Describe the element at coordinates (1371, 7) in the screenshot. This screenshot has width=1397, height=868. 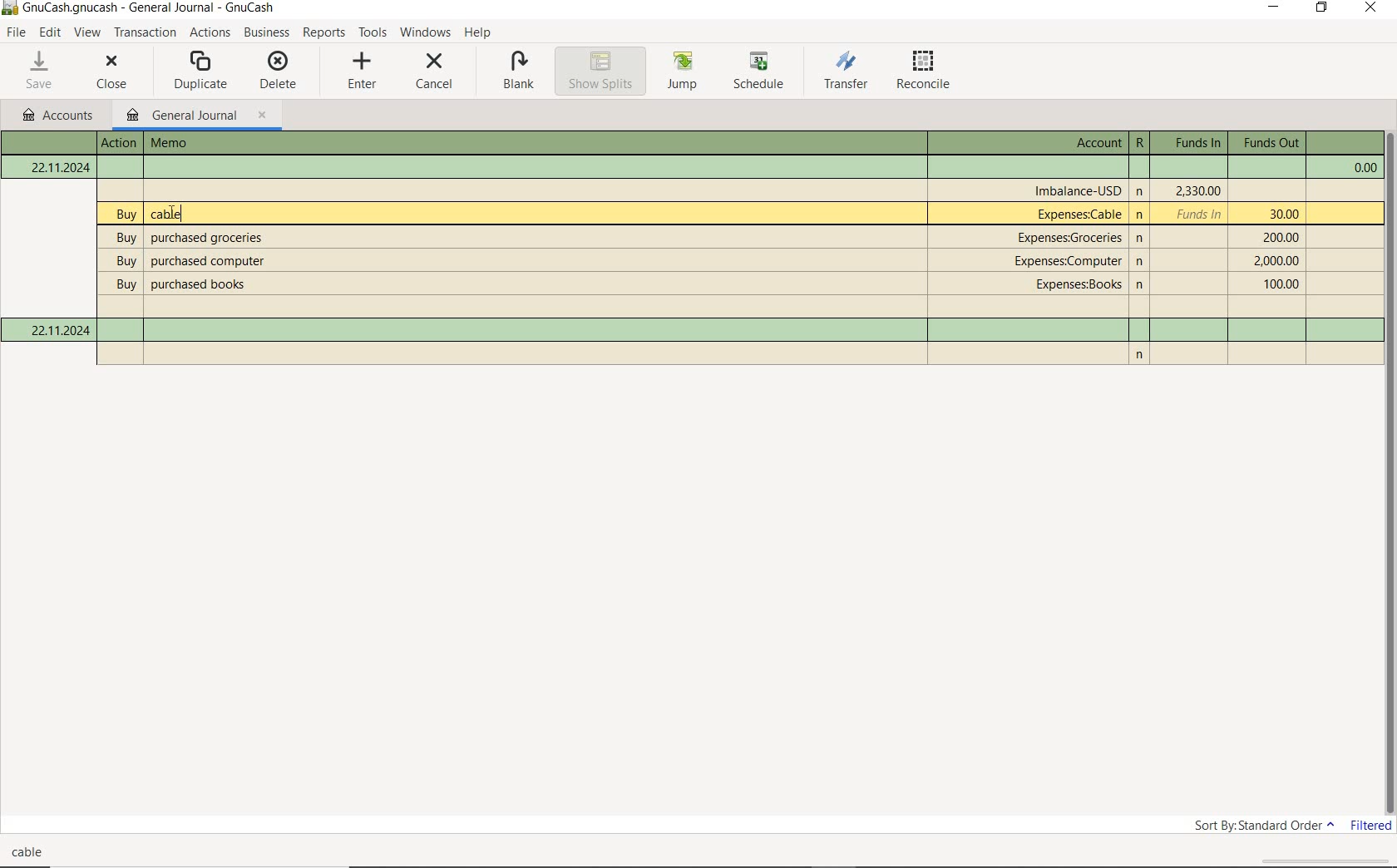
I see `CLOSE` at that location.